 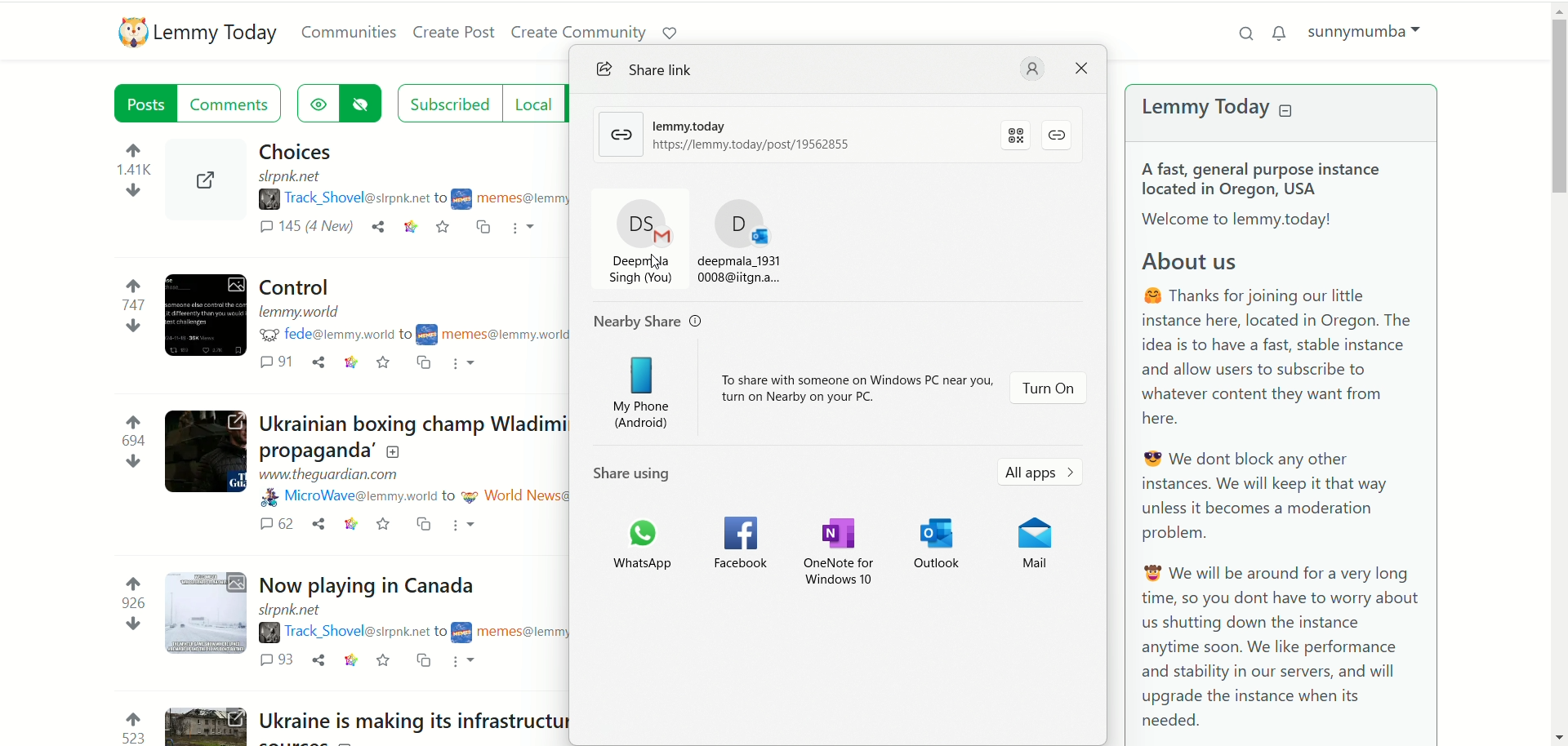 What do you see at coordinates (445, 229) in the screenshot?
I see `save` at bounding box center [445, 229].